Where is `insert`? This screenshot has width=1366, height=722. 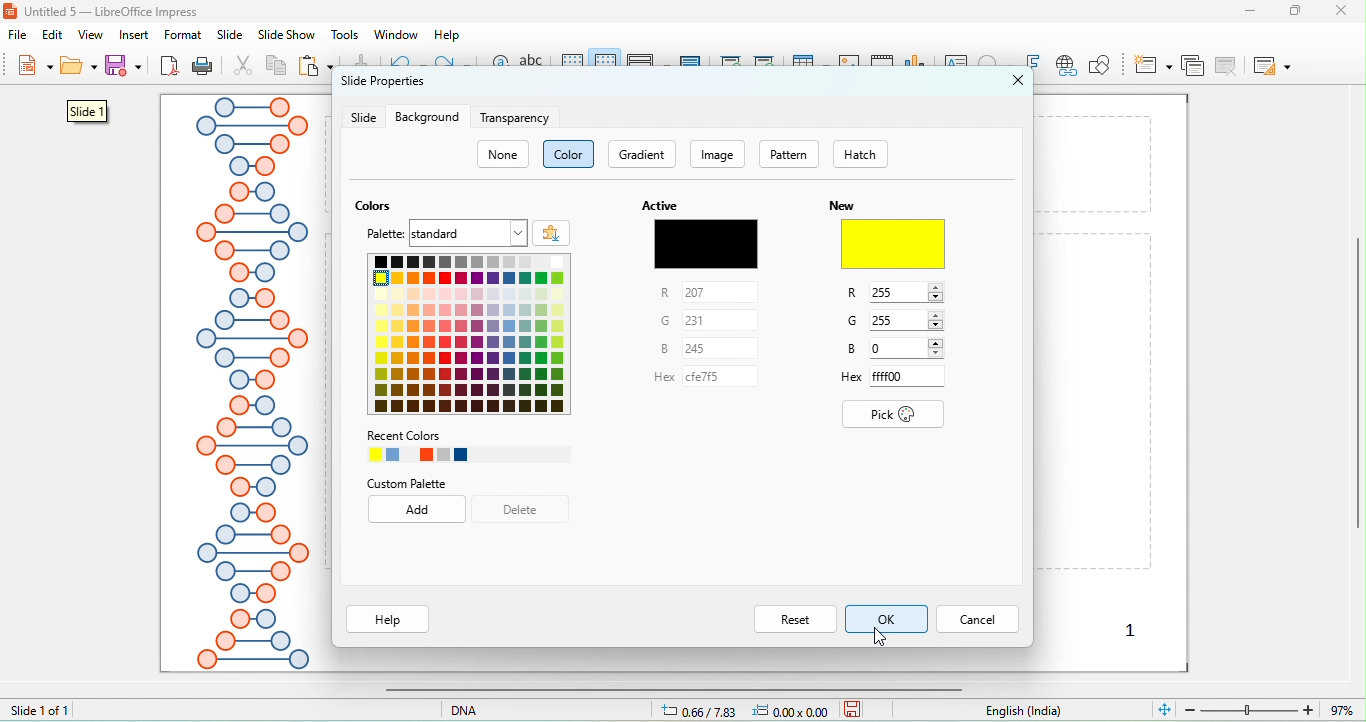 insert is located at coordinates (135, 35).